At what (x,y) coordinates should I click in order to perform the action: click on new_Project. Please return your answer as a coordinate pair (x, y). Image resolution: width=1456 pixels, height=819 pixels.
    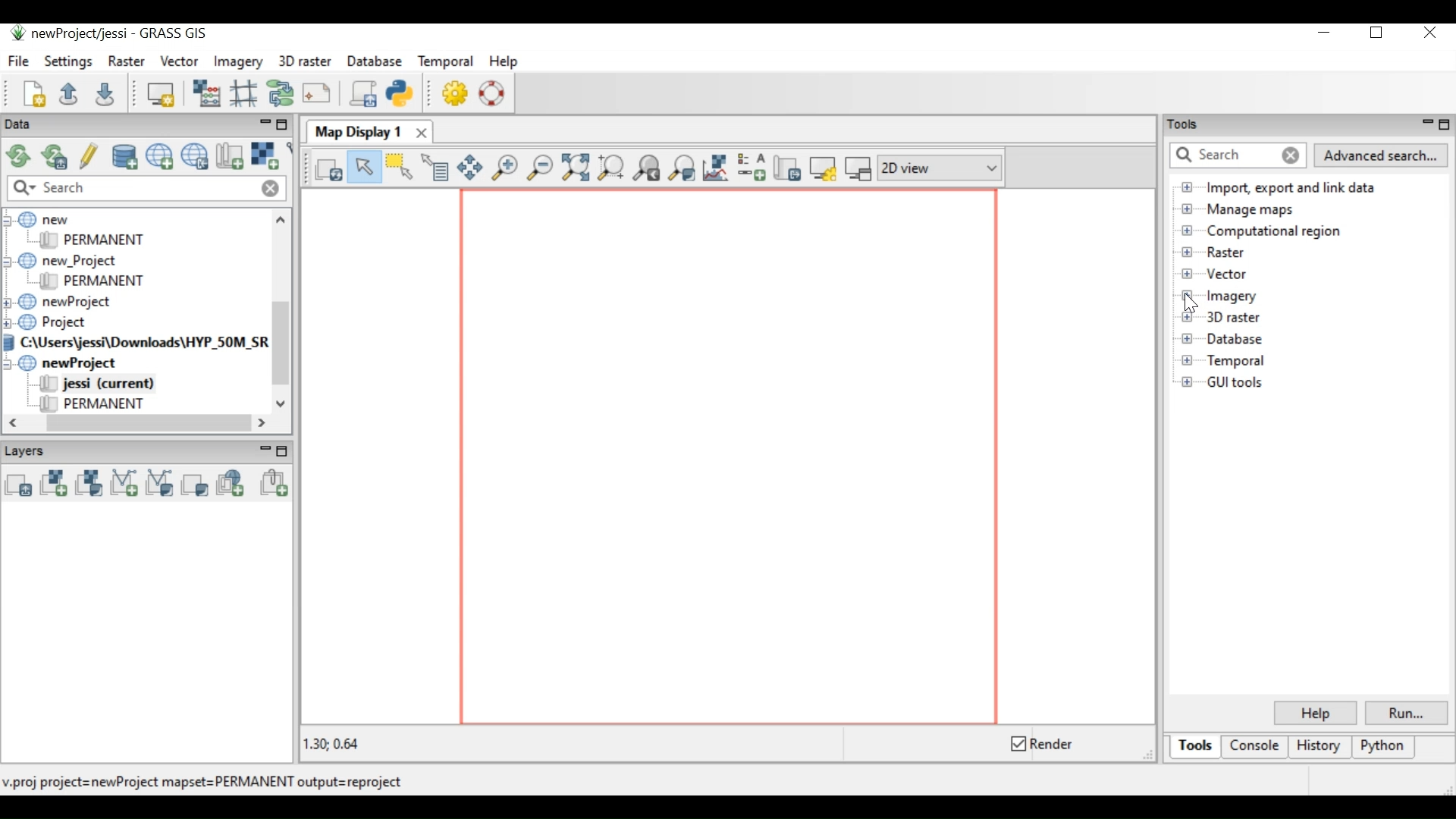
    Looking at the image, I should click on (82, 261).